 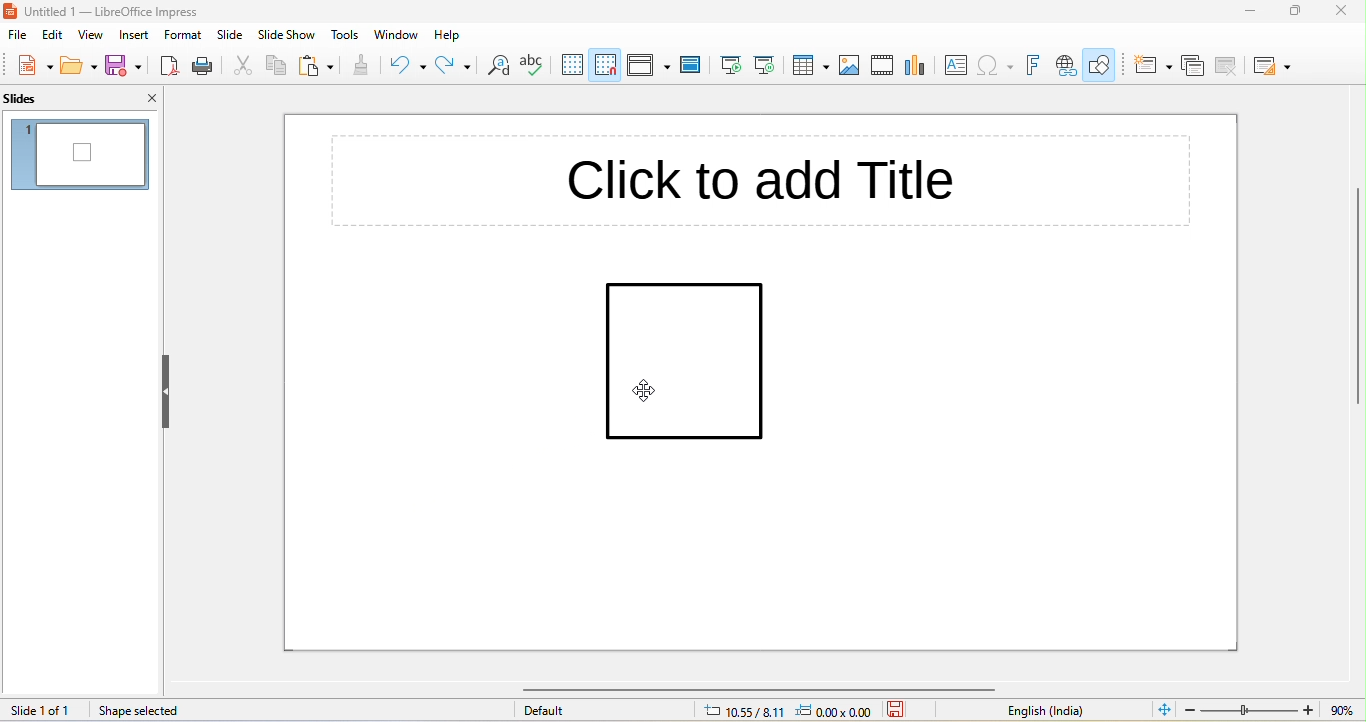 I want to click on close, so click(x=1345, y=12).